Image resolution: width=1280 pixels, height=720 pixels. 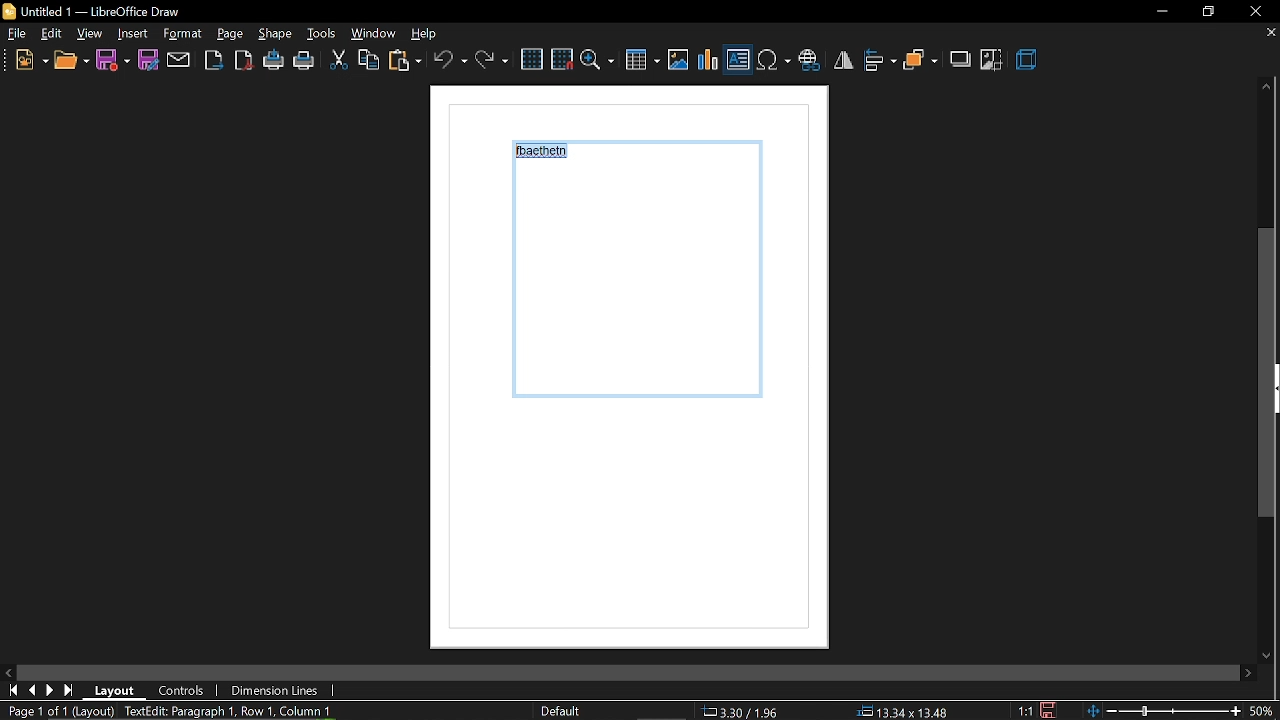 I want to click on MOve left, so click(x=8, y=671).